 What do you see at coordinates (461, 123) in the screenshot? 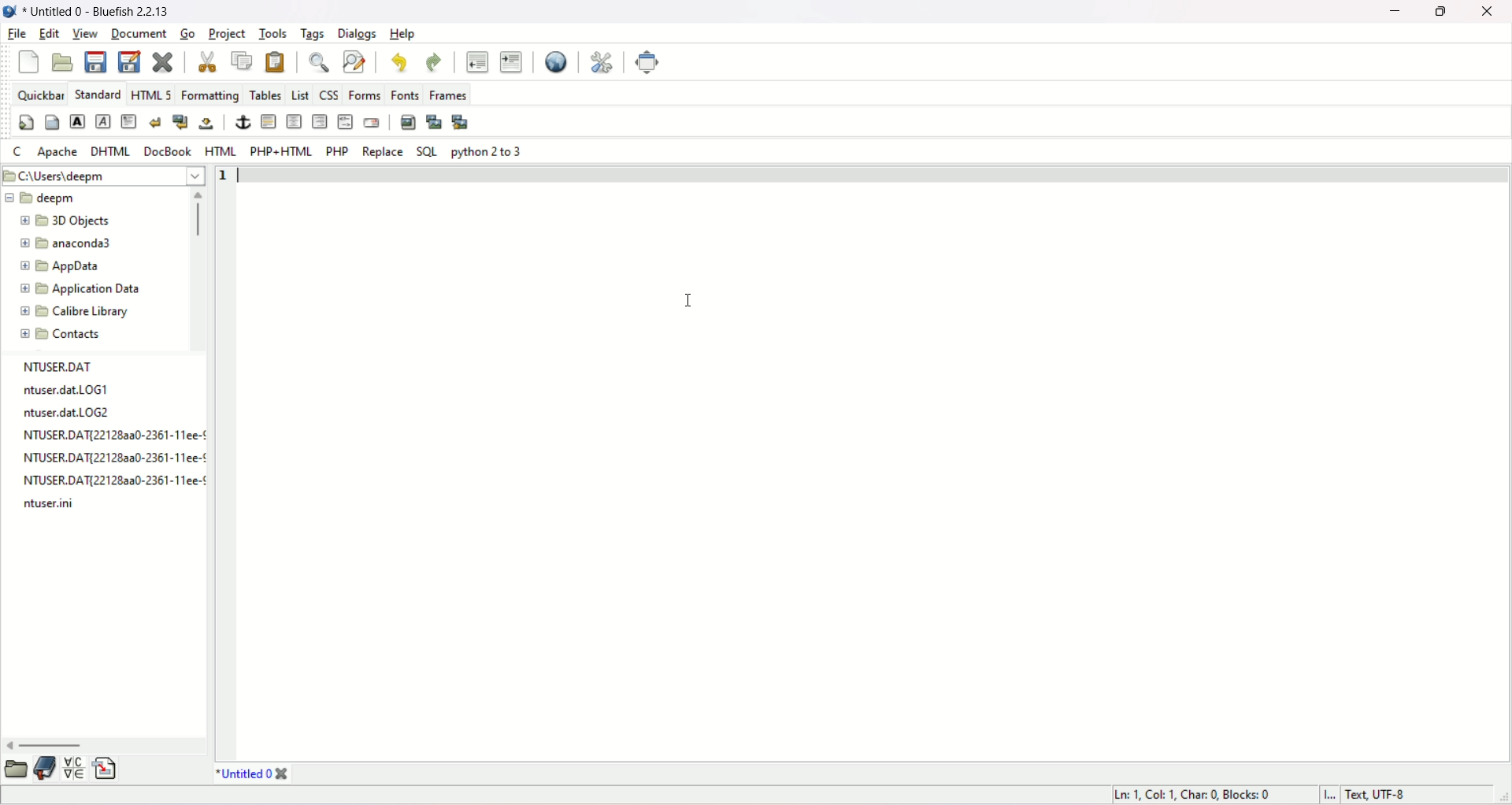
I see `multi thumbnail` at bounding box center [461, 123].